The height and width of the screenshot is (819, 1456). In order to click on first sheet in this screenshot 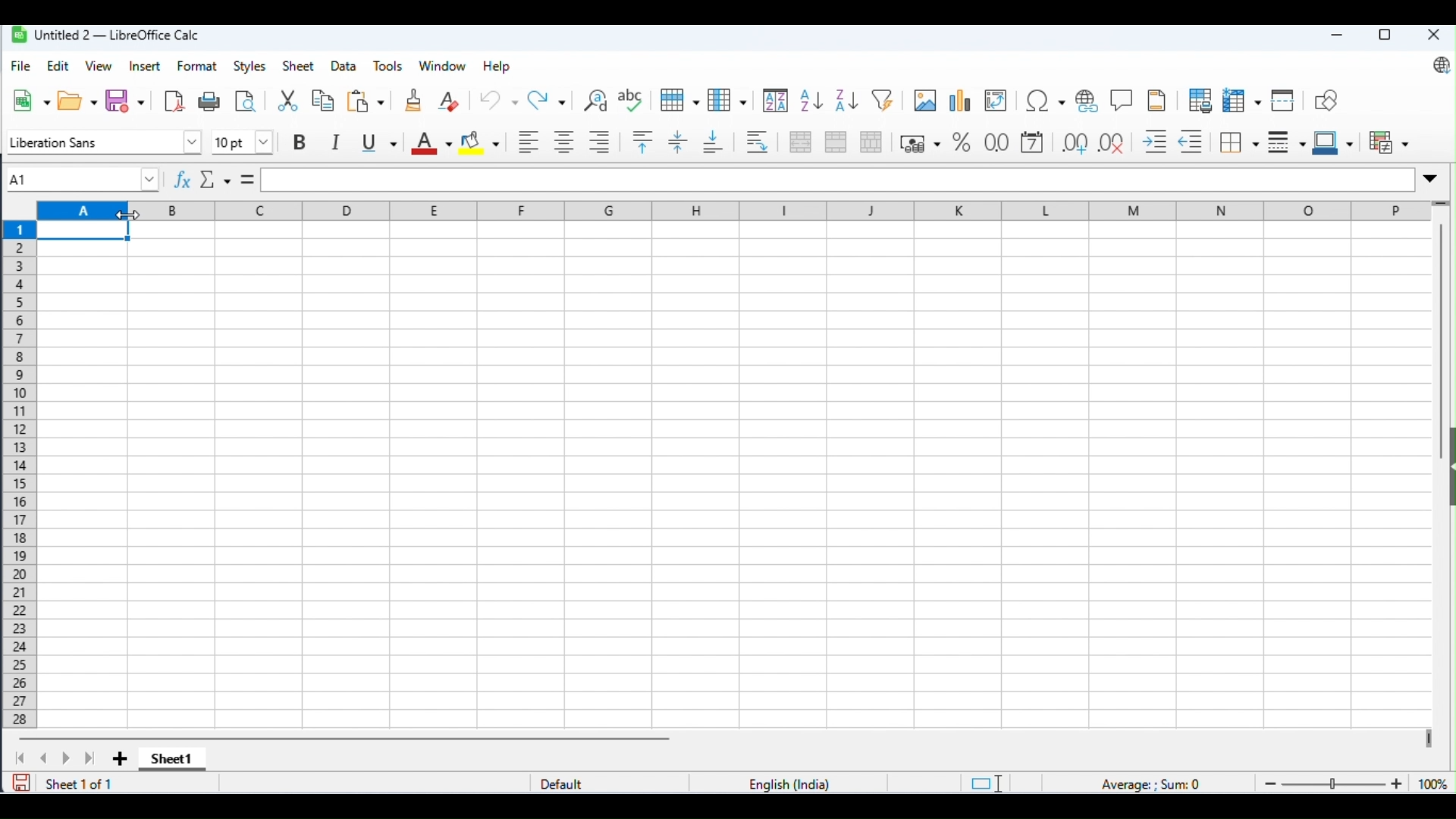, I will do `click(22, 758)`.